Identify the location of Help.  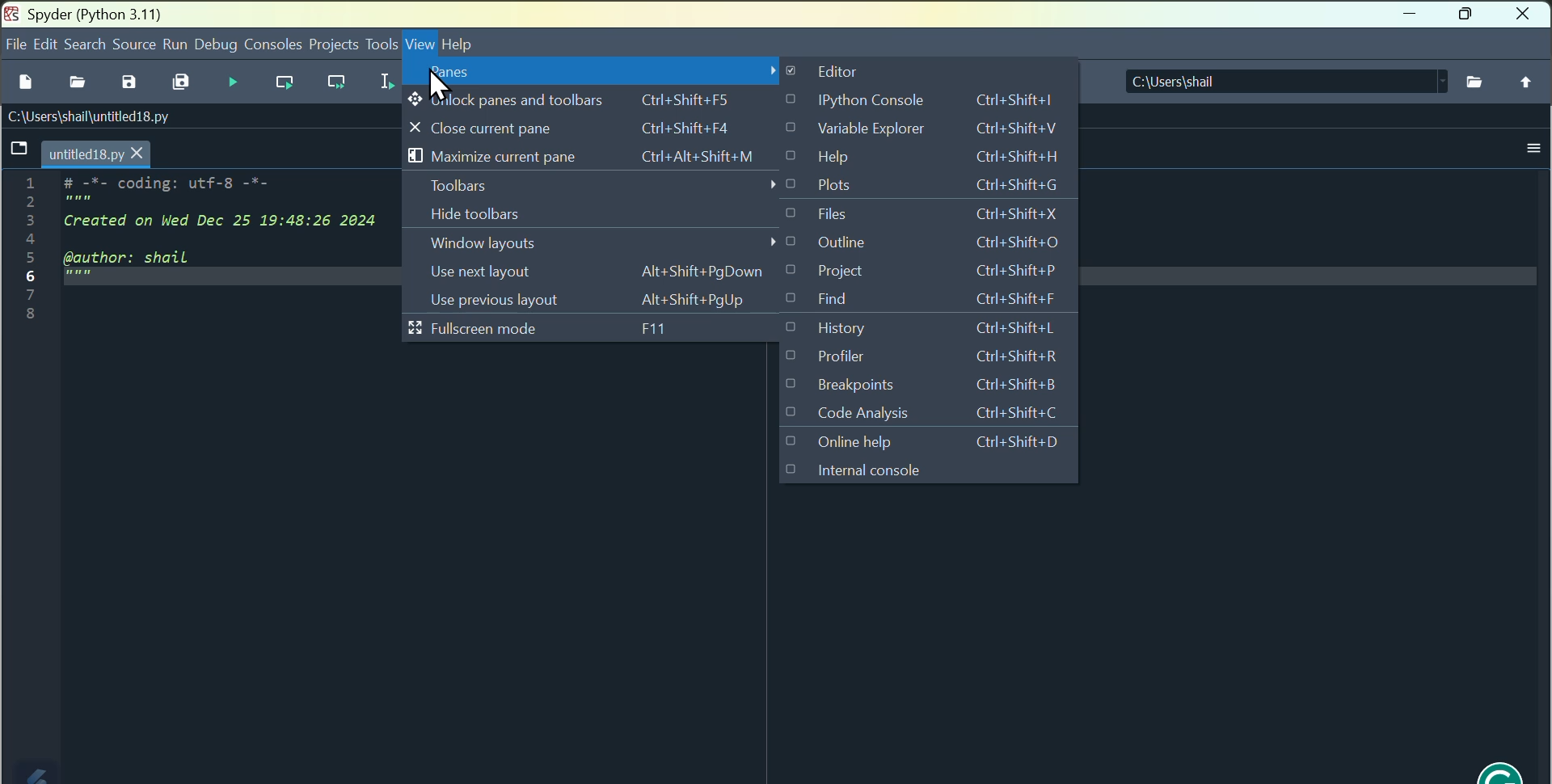
(946, 159).